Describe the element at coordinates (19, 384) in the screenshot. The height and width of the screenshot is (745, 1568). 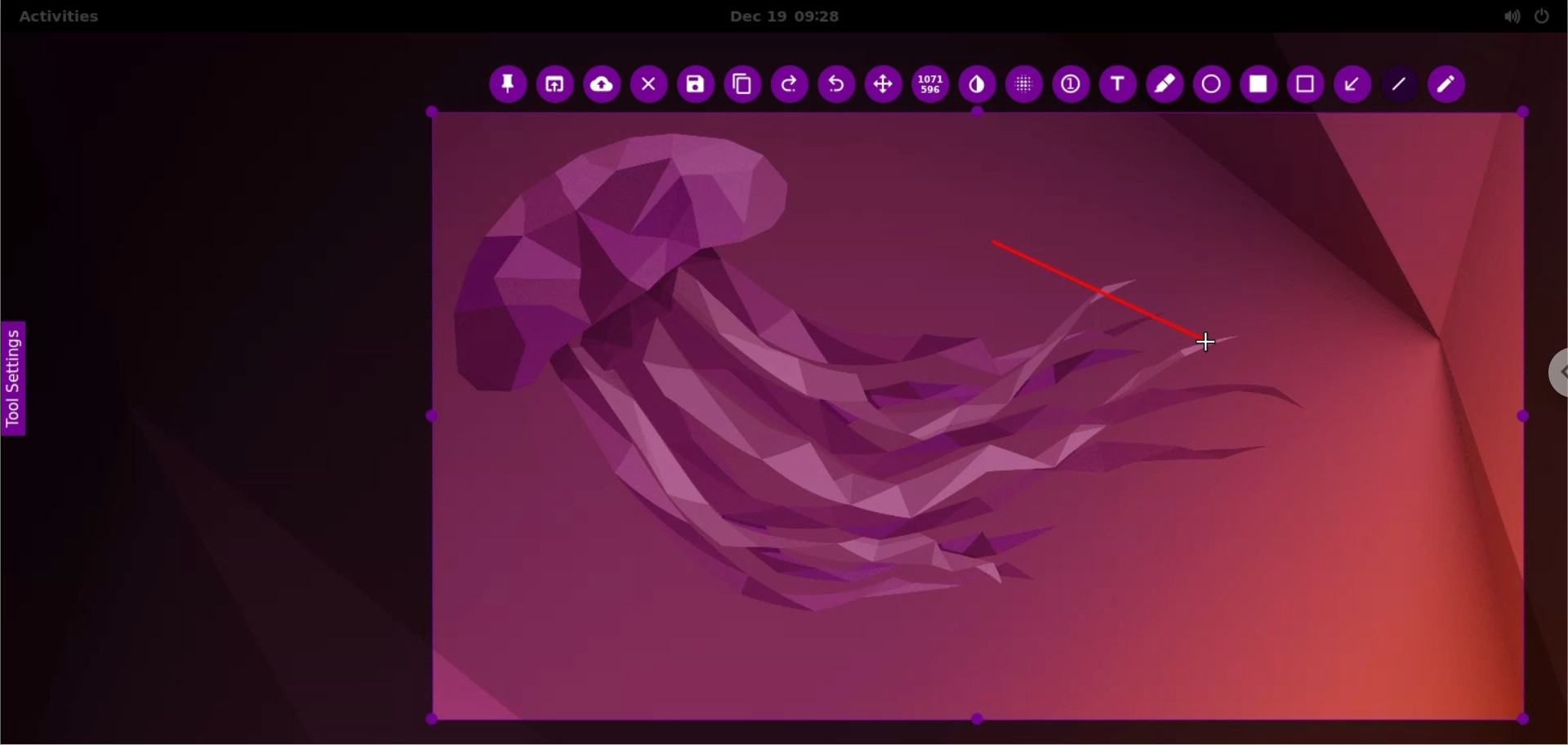
I see `tool settings` at that location.